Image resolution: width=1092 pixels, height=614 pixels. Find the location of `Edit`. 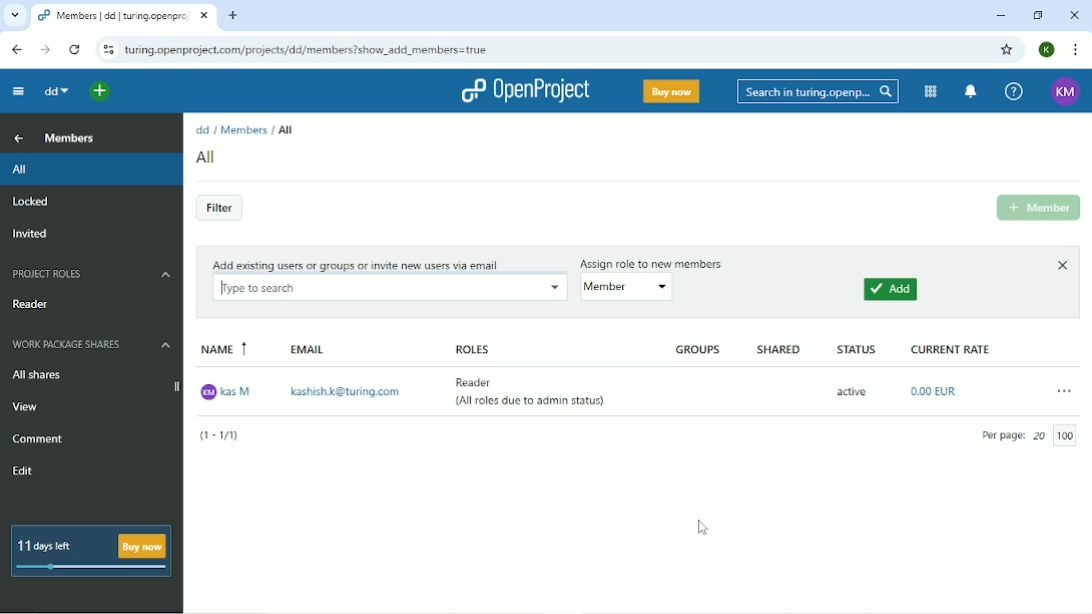

Edit is located at coordinates (25, 472).